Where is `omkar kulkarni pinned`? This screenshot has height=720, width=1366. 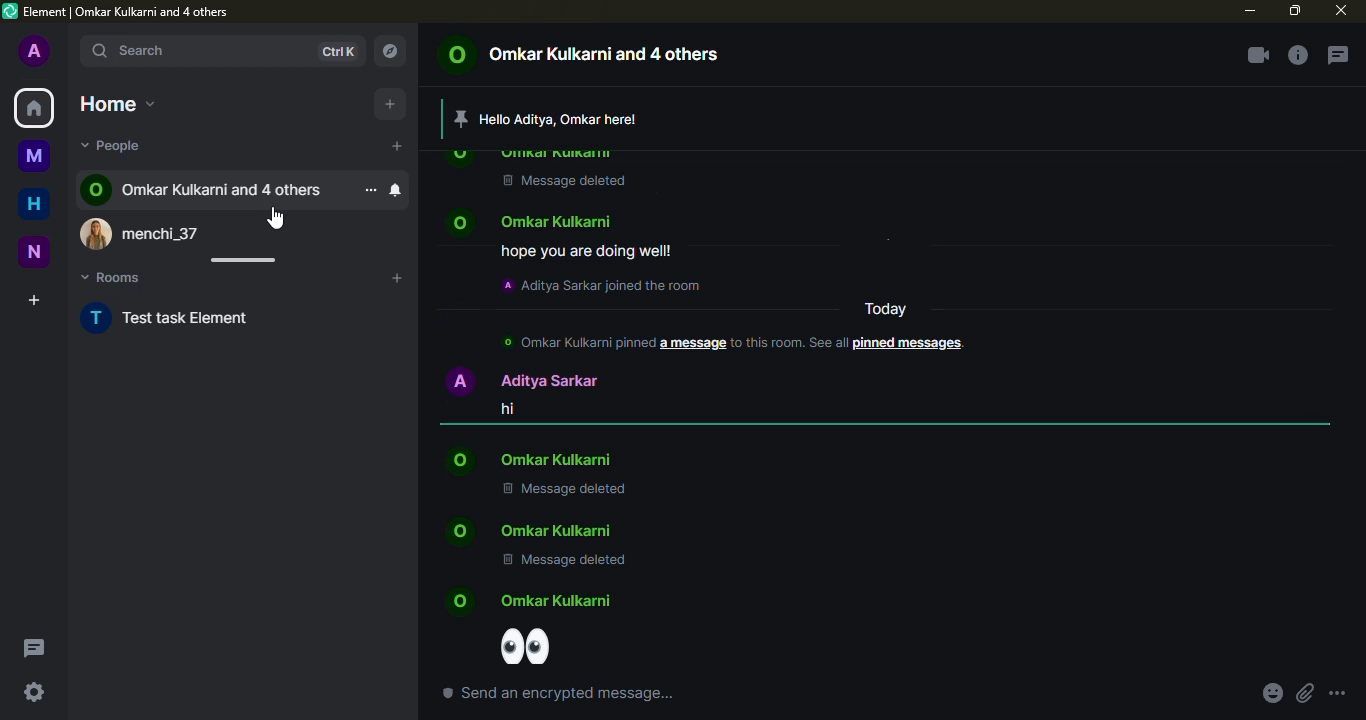 omkar kulkarni pinned is located at coordinates (575, 342).